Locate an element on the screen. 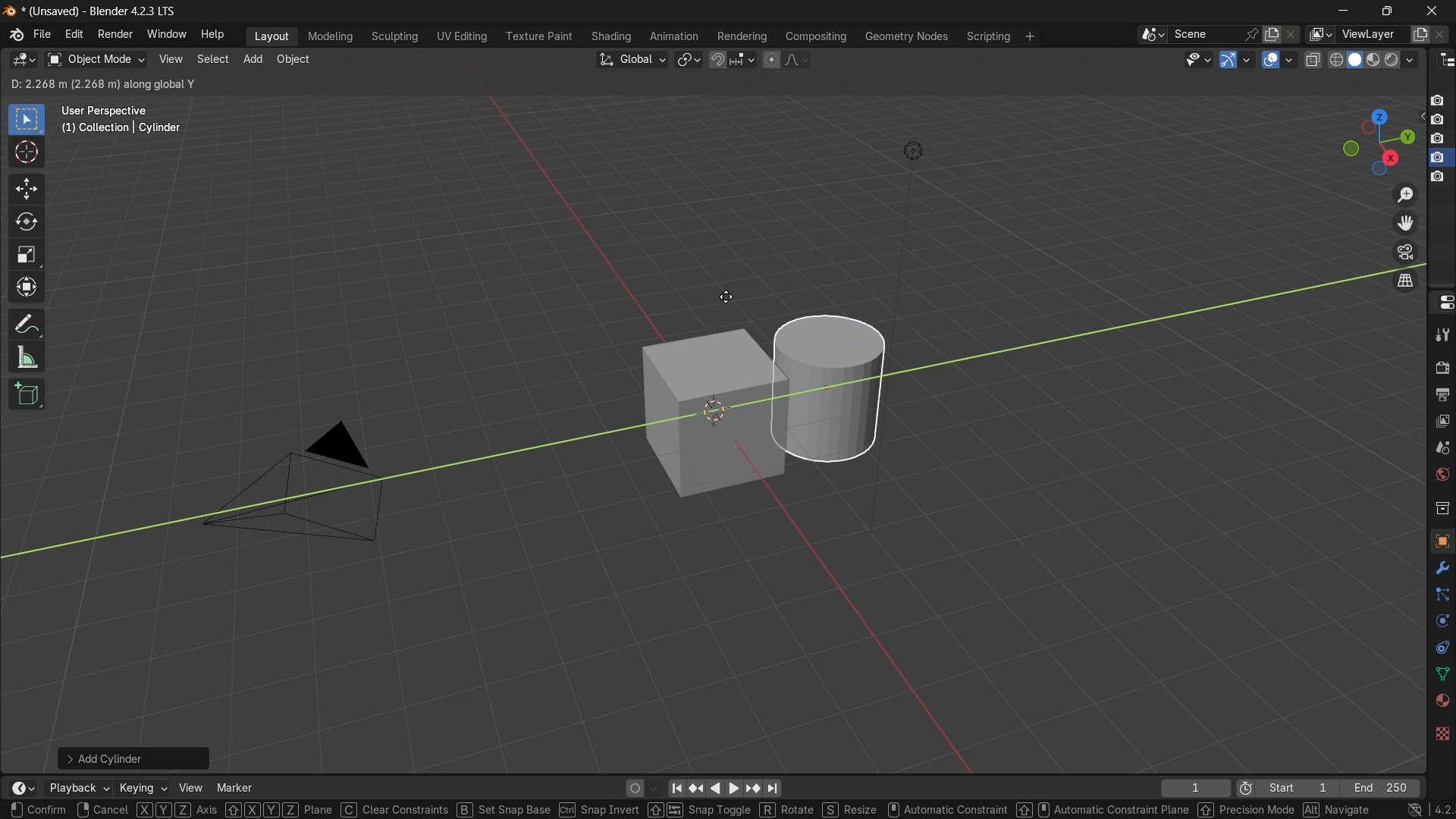 This screenshot has height=819, width=1456. new scene is located at coordinates (1272, 34).